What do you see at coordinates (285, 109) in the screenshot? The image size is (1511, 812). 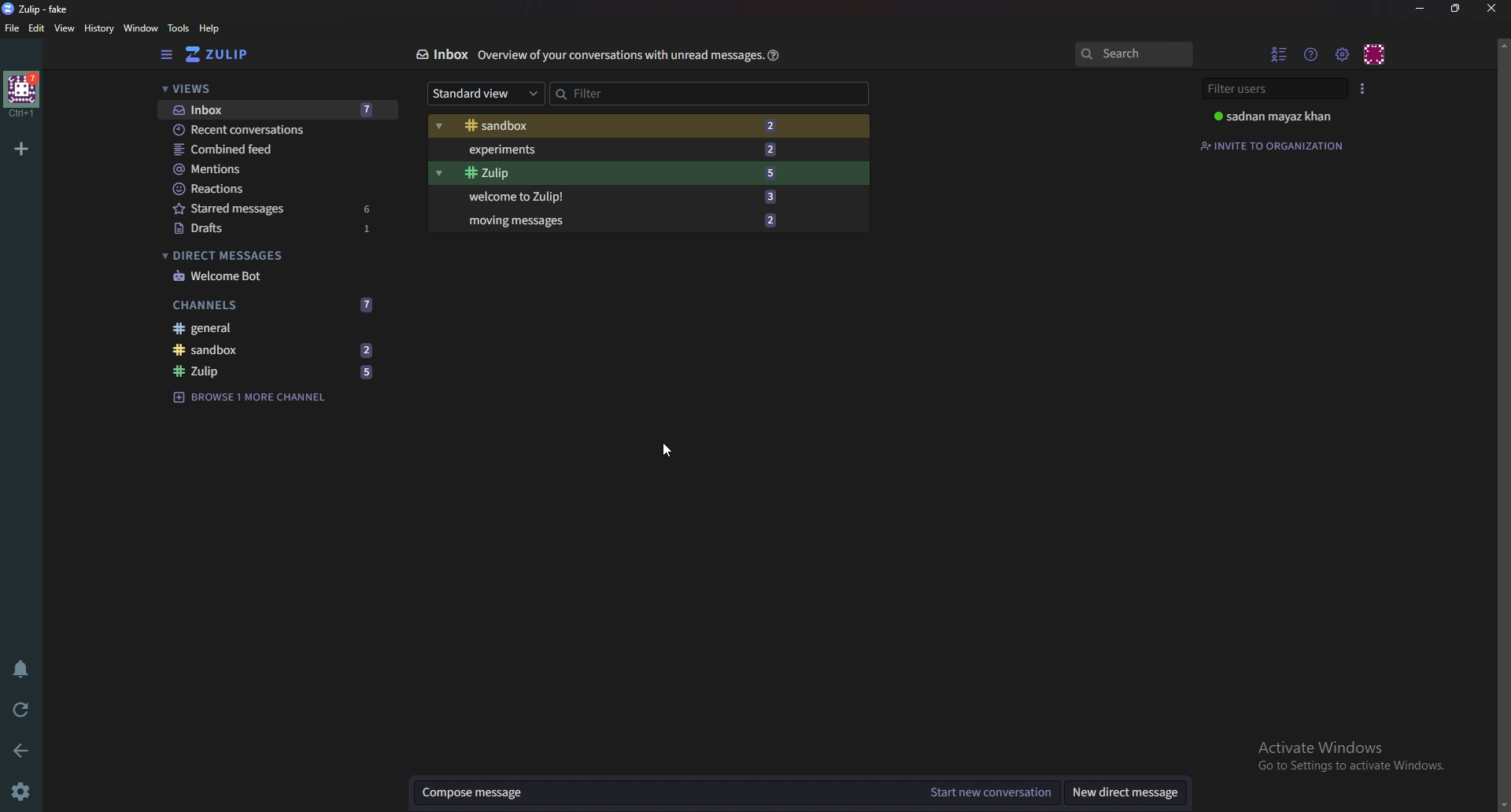 I see `inbox` at bounding box center [285, 109].